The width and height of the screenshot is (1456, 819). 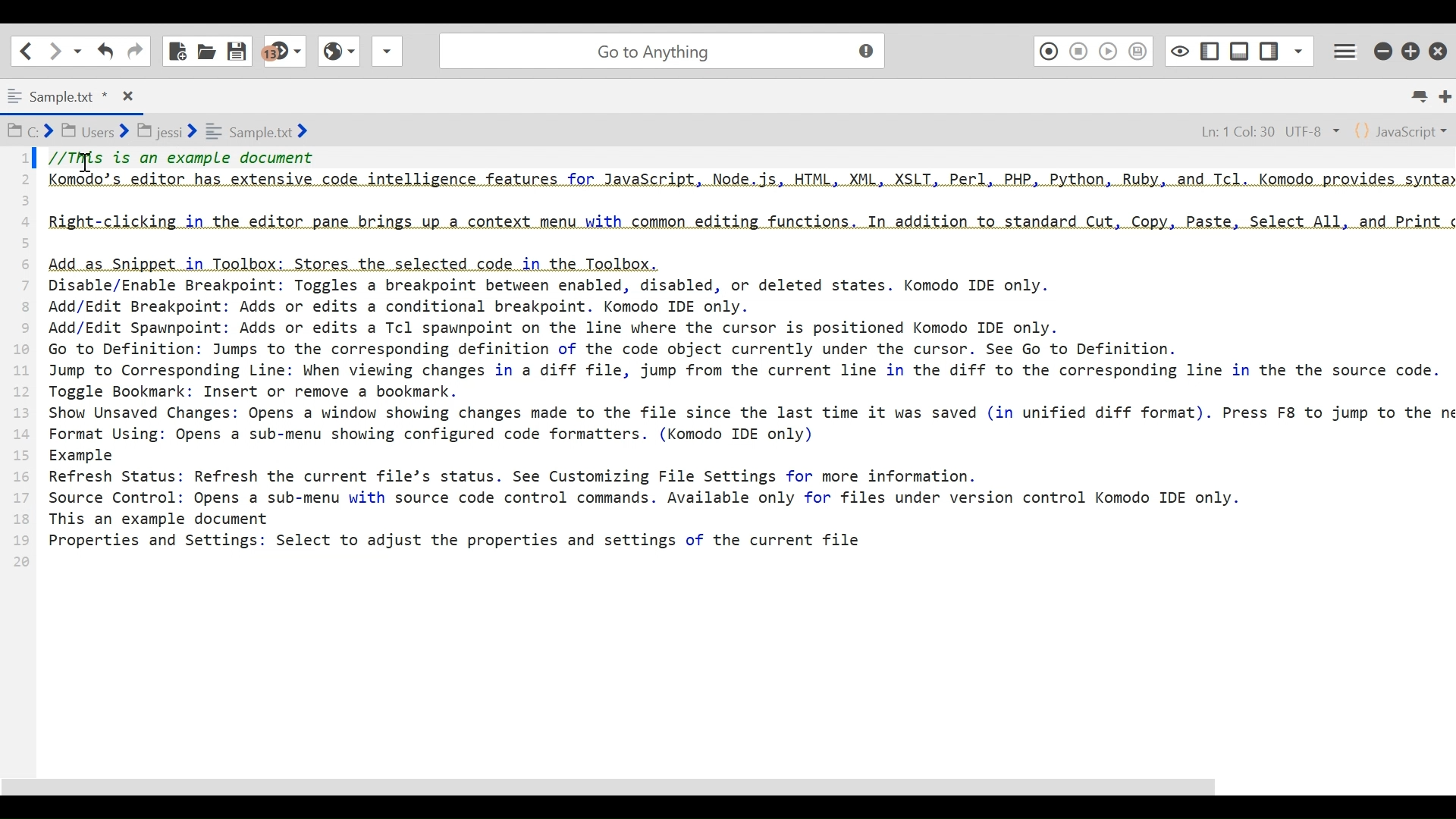 What do you see at coordinates (1440, 47) in the screenshot?
I see `Close` at bounding box center [1440, 47].